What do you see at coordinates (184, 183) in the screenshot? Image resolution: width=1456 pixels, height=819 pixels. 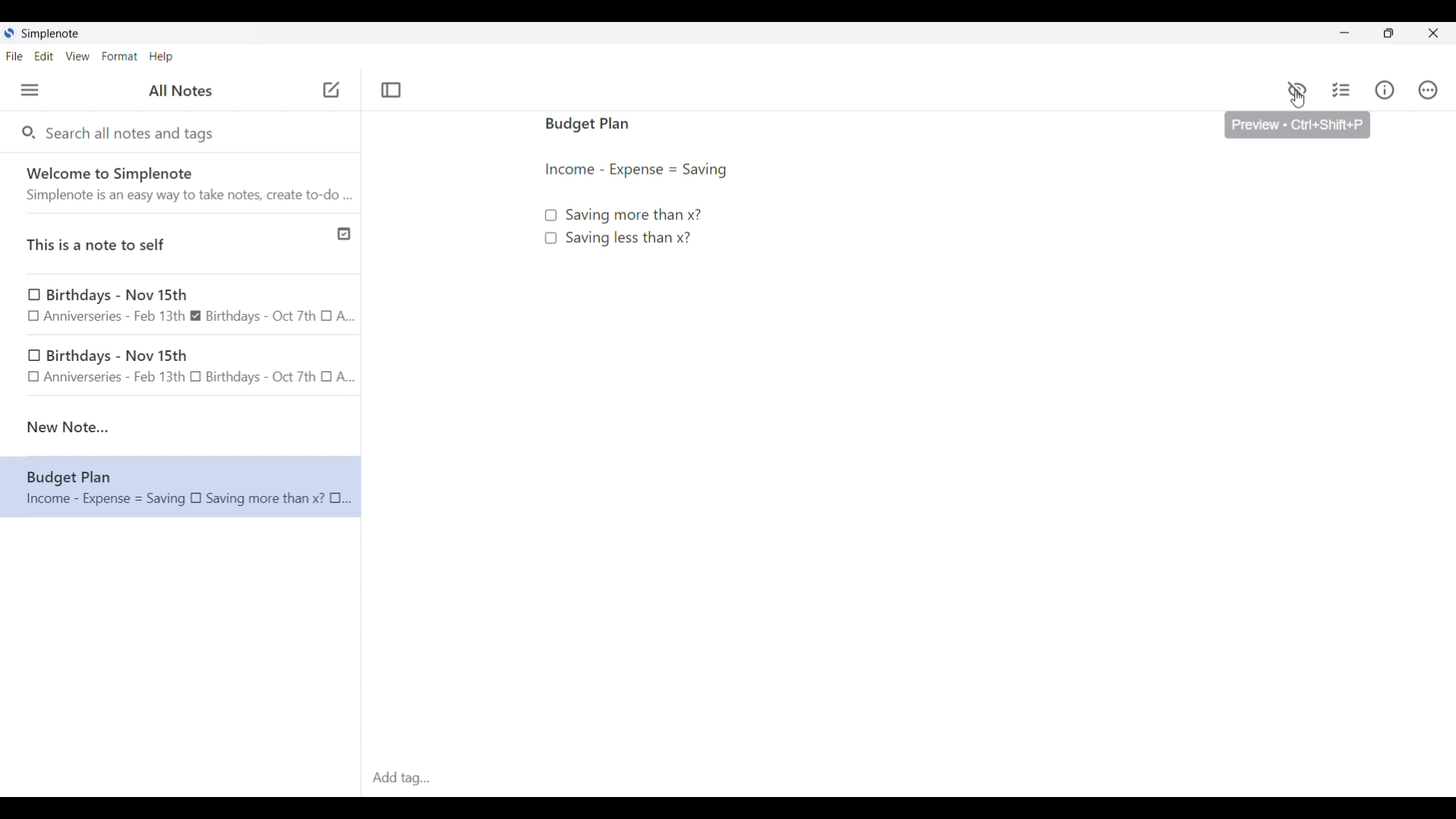 I see `Software welcome note` at bounding box center [184, 183].